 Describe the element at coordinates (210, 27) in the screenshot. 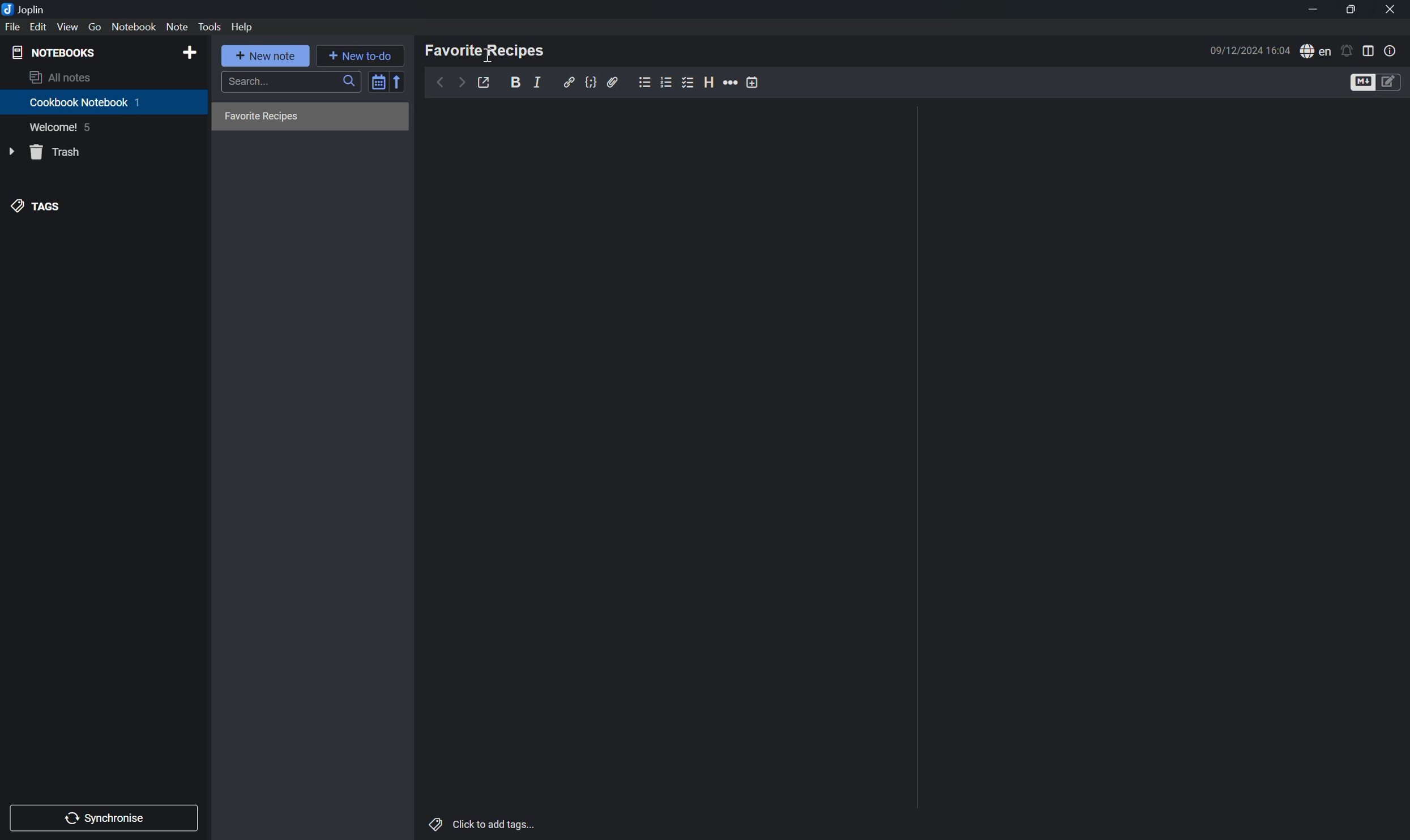

I see `Tools` at that location.